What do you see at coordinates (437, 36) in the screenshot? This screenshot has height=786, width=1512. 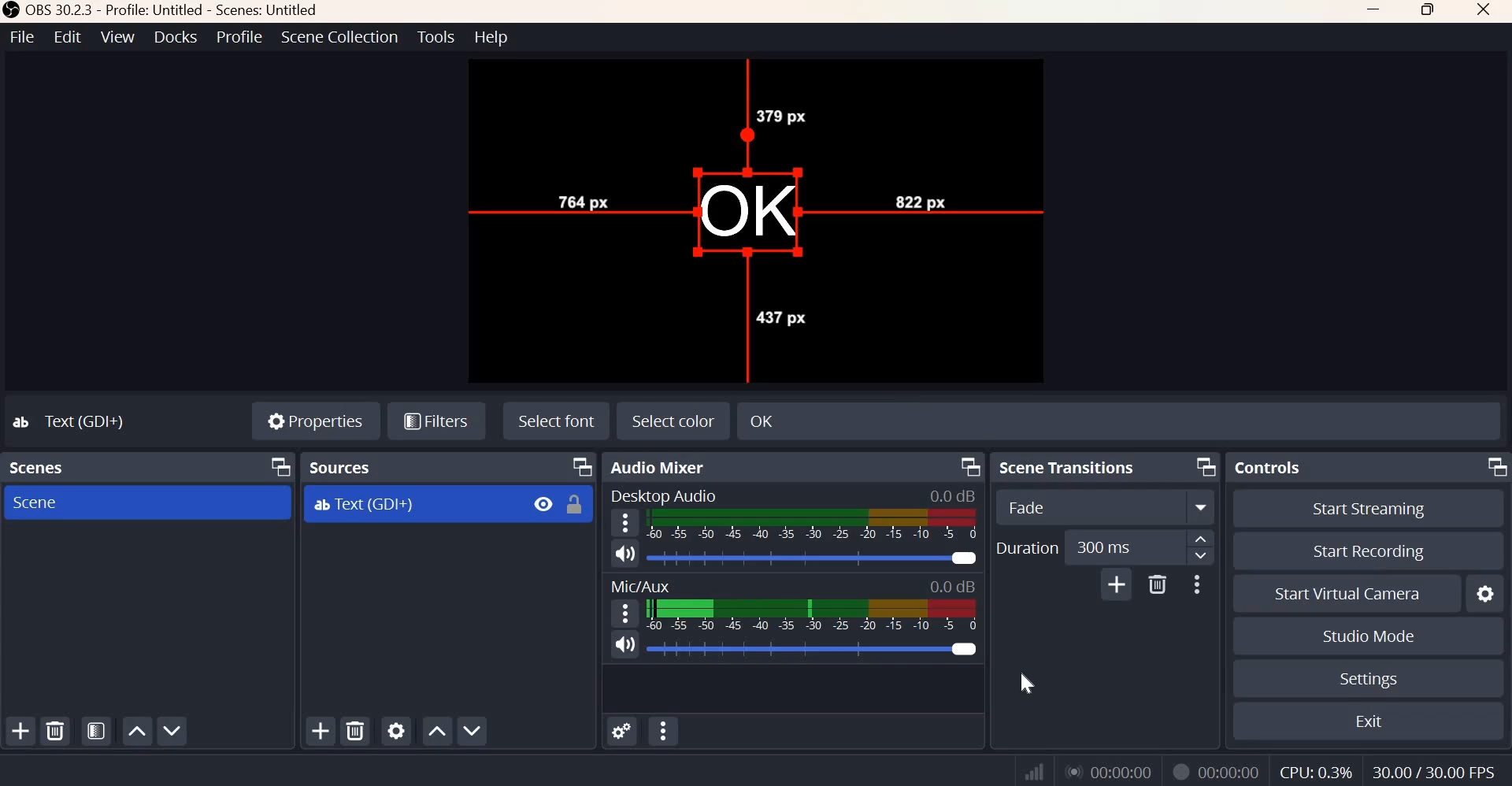 I see `Tools` at bounding box center [437, 36].